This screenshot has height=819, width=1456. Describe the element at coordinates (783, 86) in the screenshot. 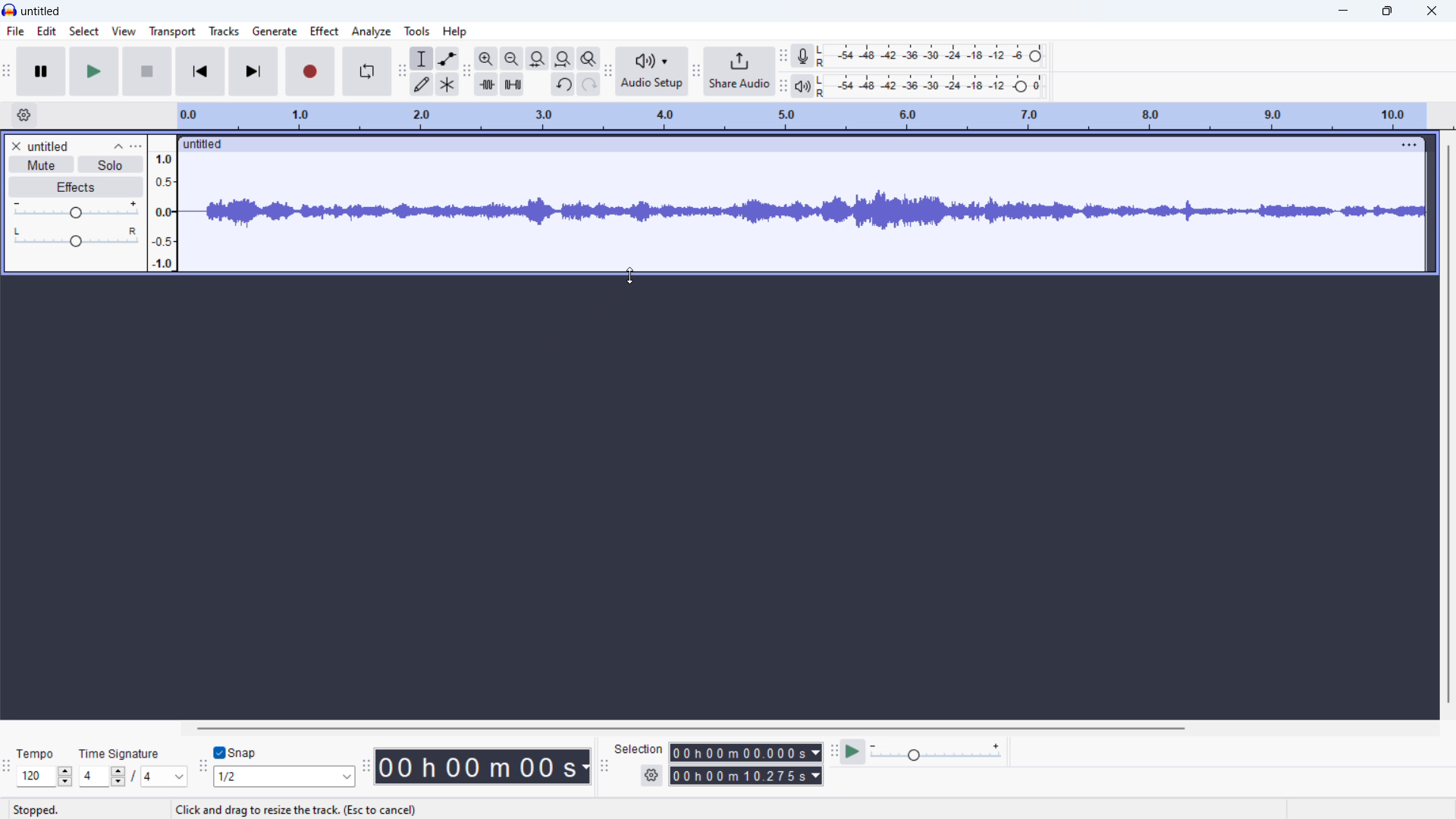

I see `playback meter toolbar` at that location.